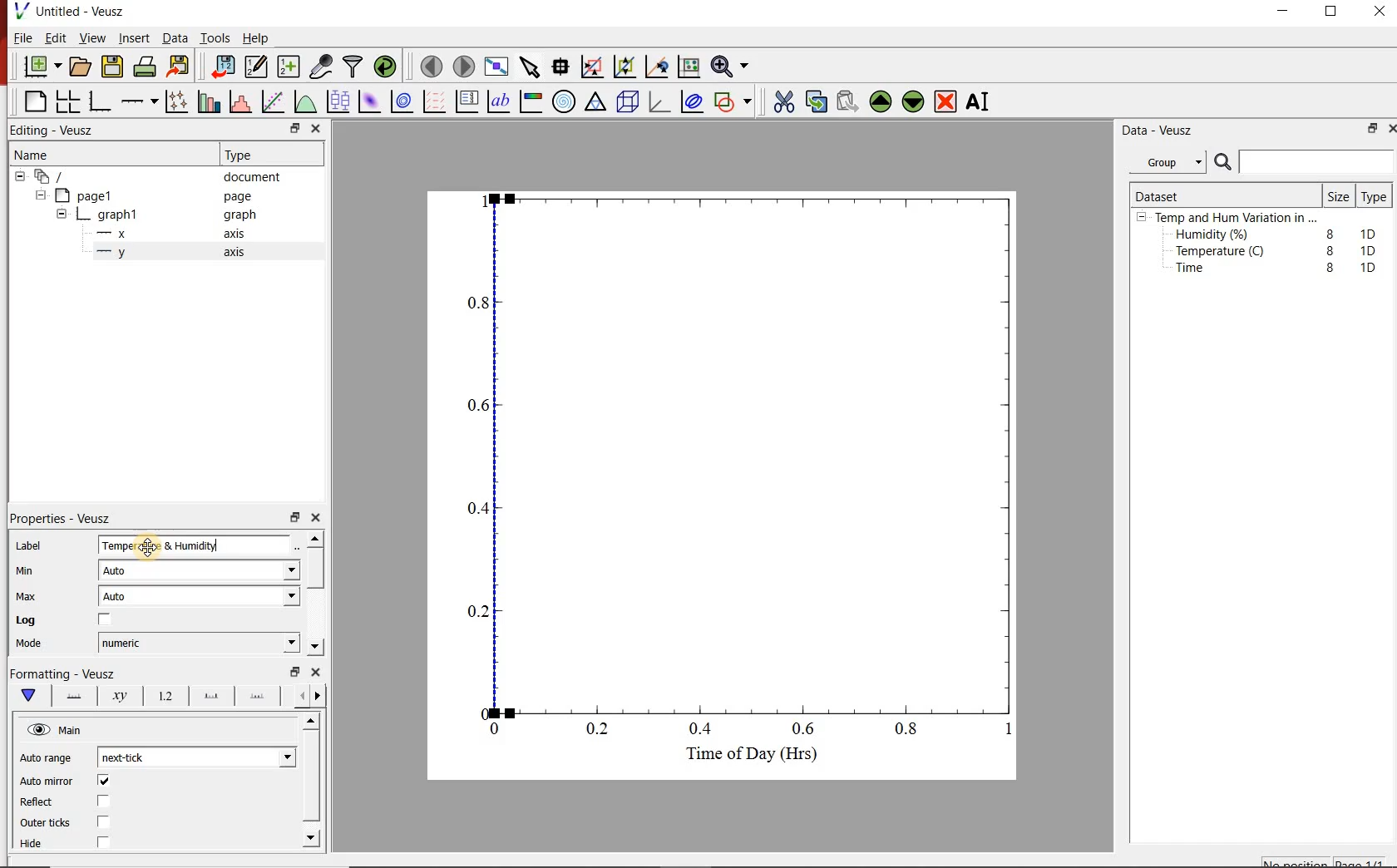 Image resolution: width=1397 pixels, height=868 pixels. What do you see at coordinates (159, 545) in the screenshot?
I see `Cursor` at bounding box center [159, 545].